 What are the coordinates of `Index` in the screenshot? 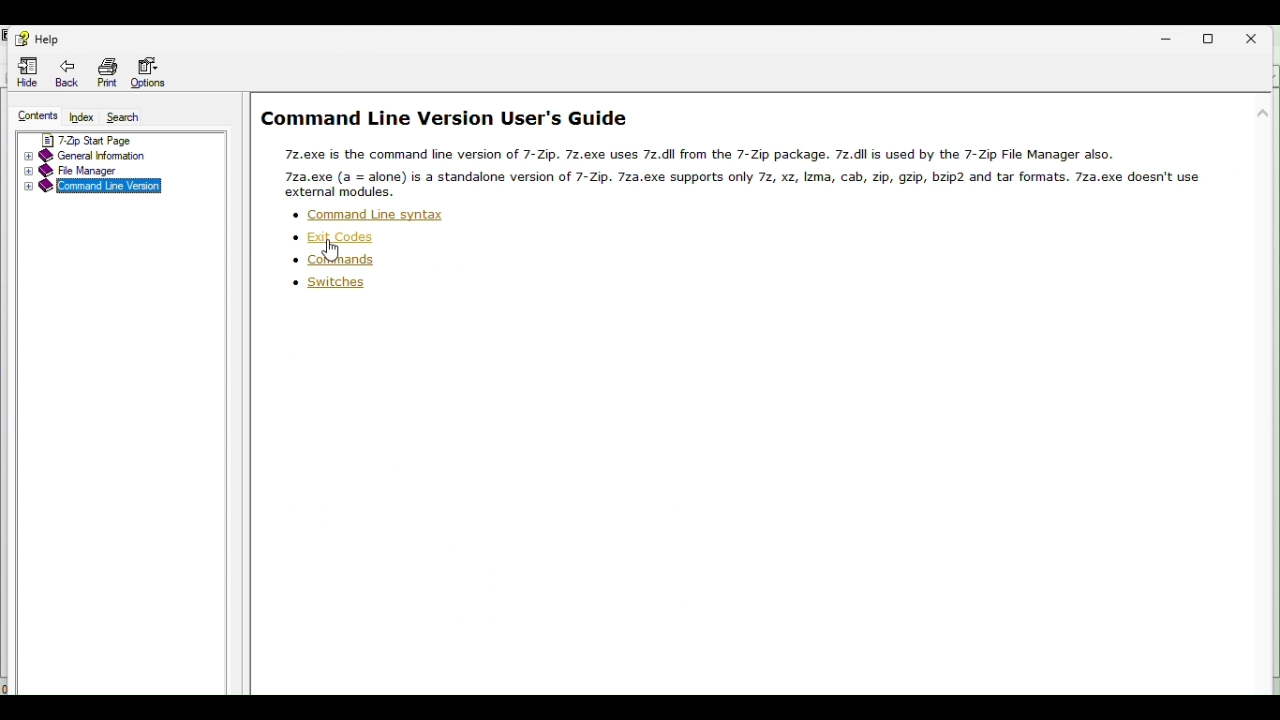 It's located at (83, 117).